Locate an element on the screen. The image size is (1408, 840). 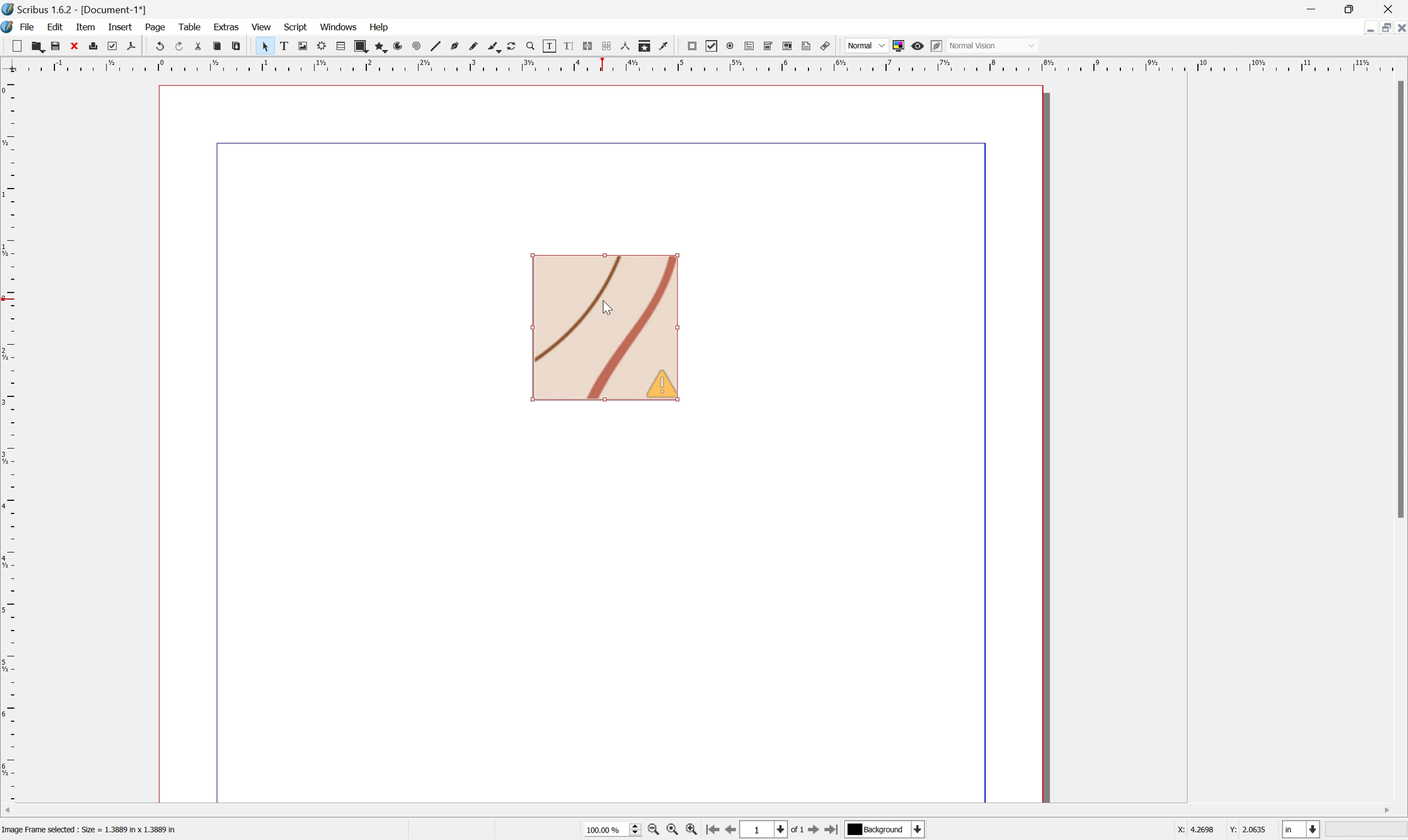
Current zoom level is located at coordinates (612, 829).